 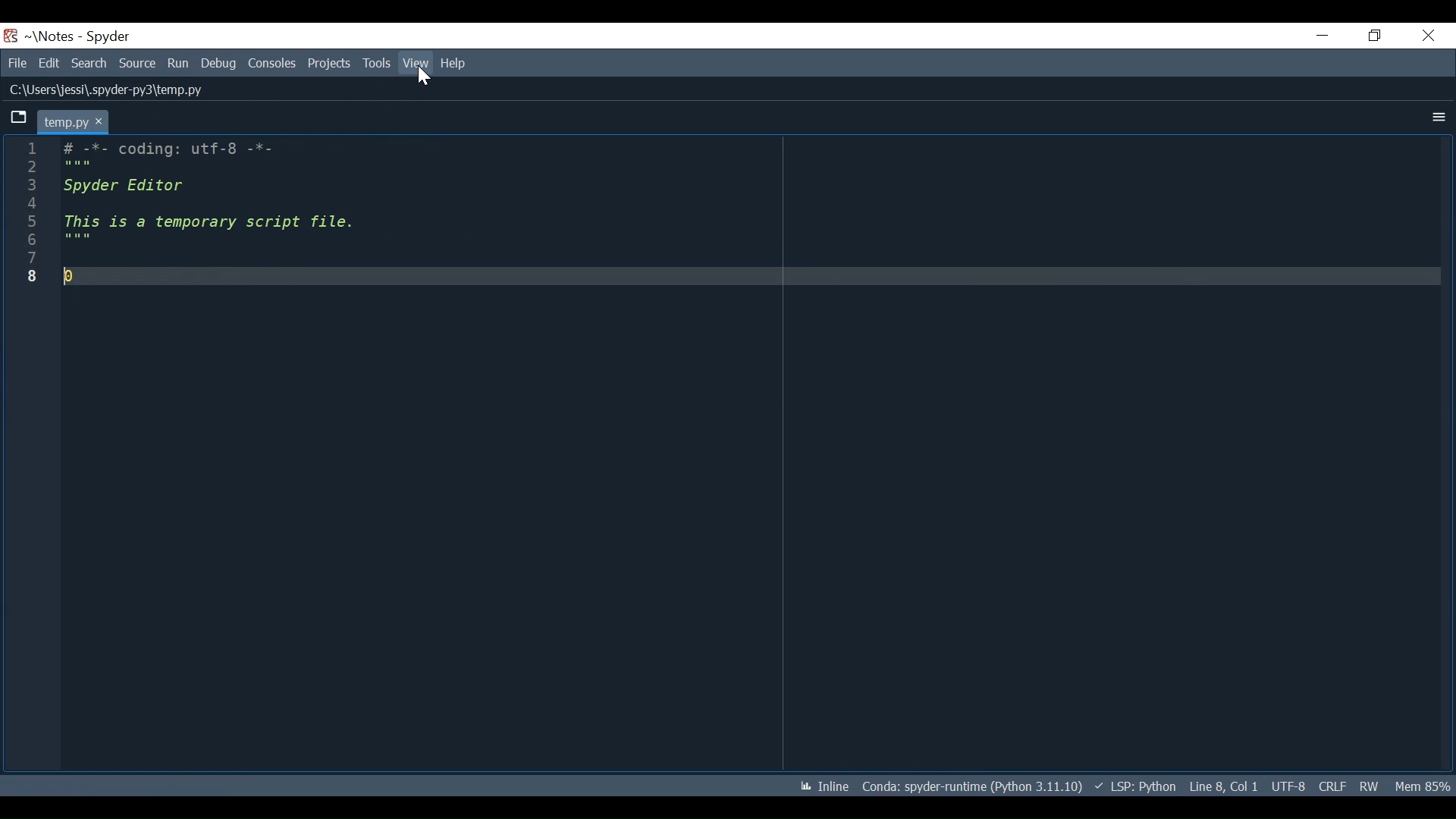 I want to click on Coda: spyder-runtime (Python 3.11.10), so click(x=974, y=789).